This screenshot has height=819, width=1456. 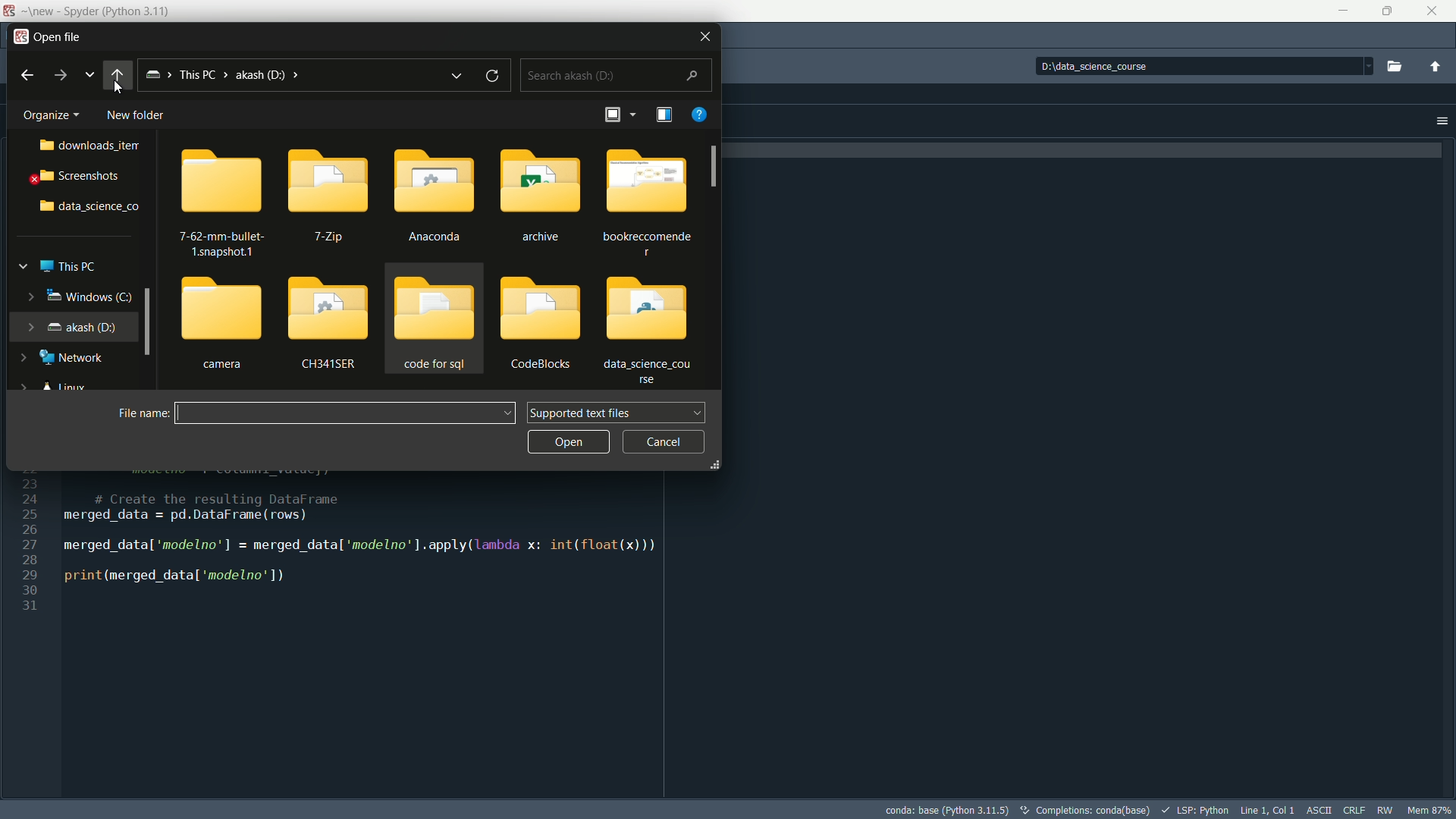 What do you see at coordinates (1320, 808) in the screenshot?
I see `file encoding` at bounding box center [1320, 808].